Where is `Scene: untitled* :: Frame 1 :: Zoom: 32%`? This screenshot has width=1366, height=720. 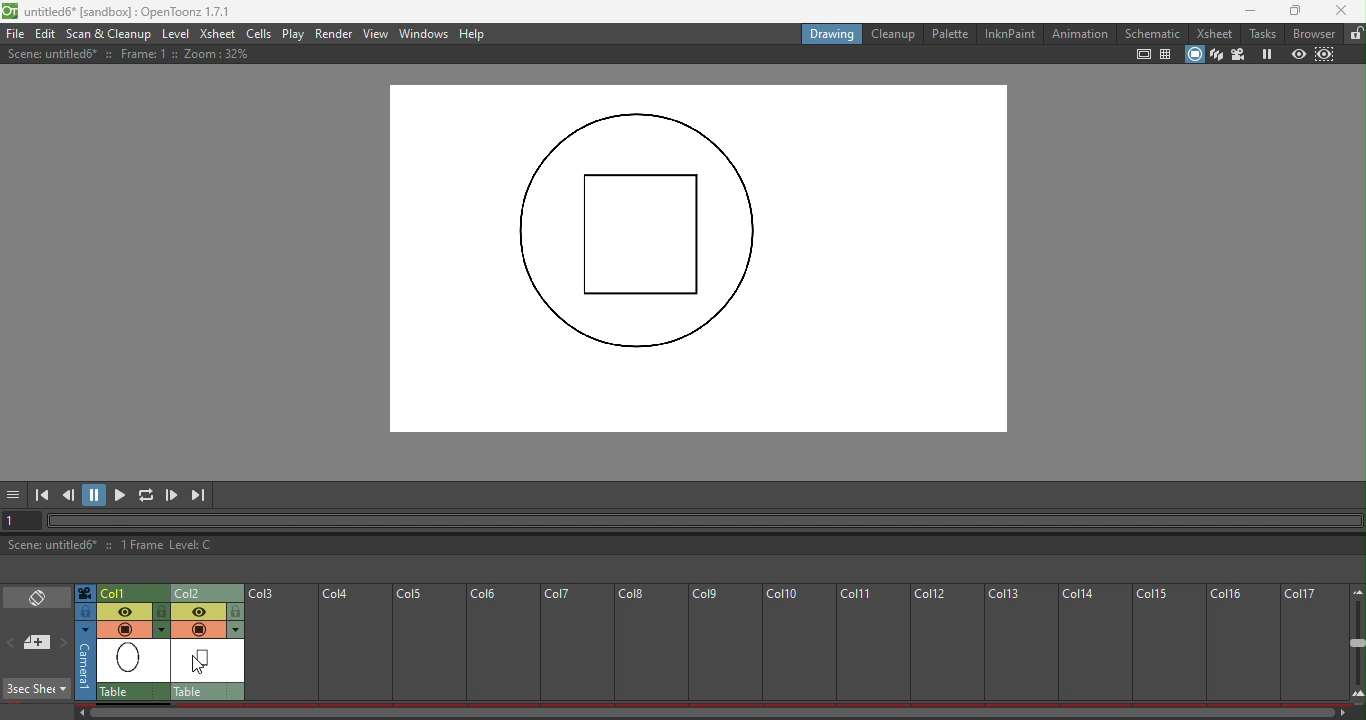
Scene: untitled* :: Frame 1 :: Zoom: 32% is located at coordinates (163, 56).